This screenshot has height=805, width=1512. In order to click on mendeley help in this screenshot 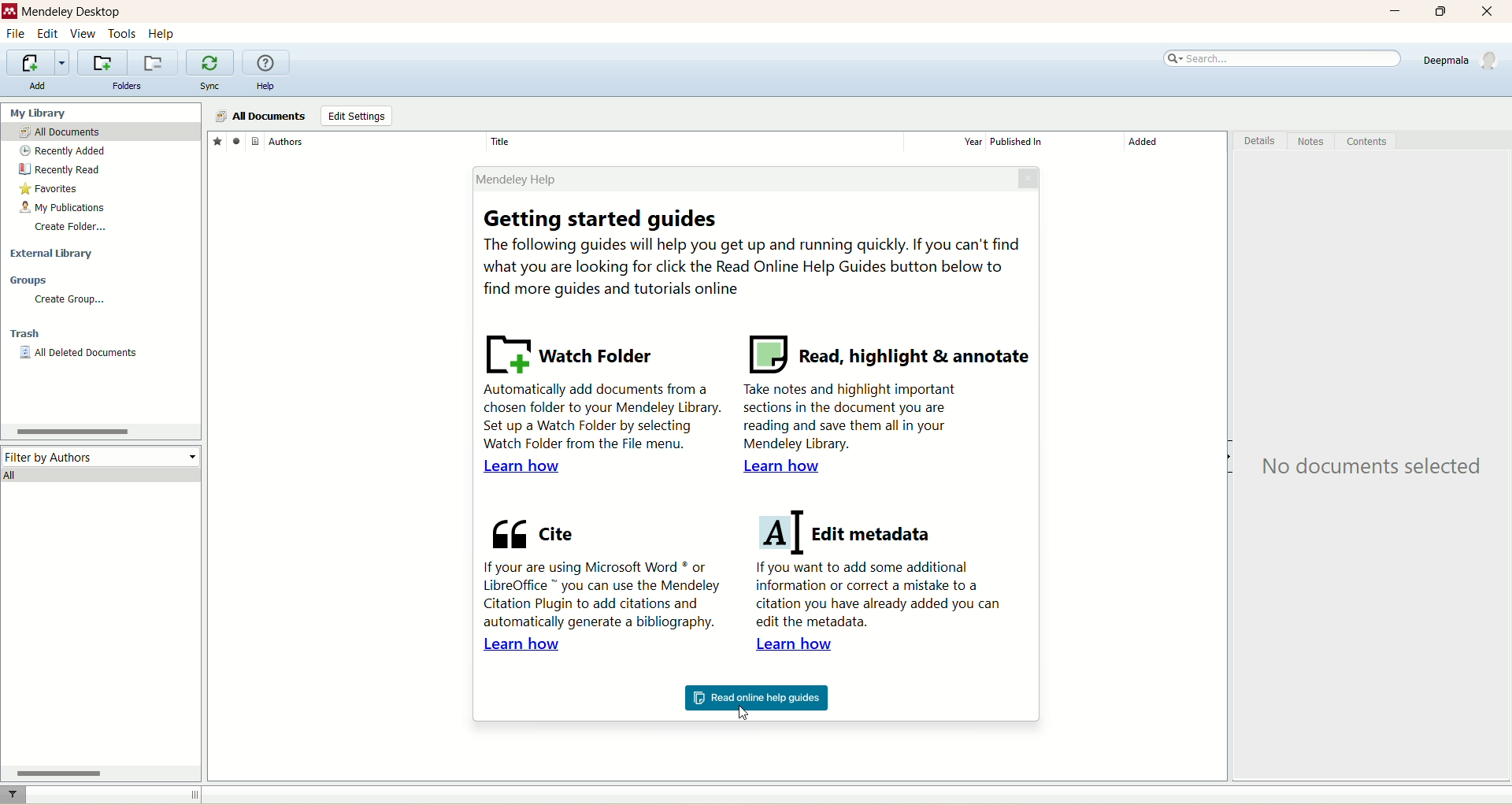, I will do `click(739, 177)`.